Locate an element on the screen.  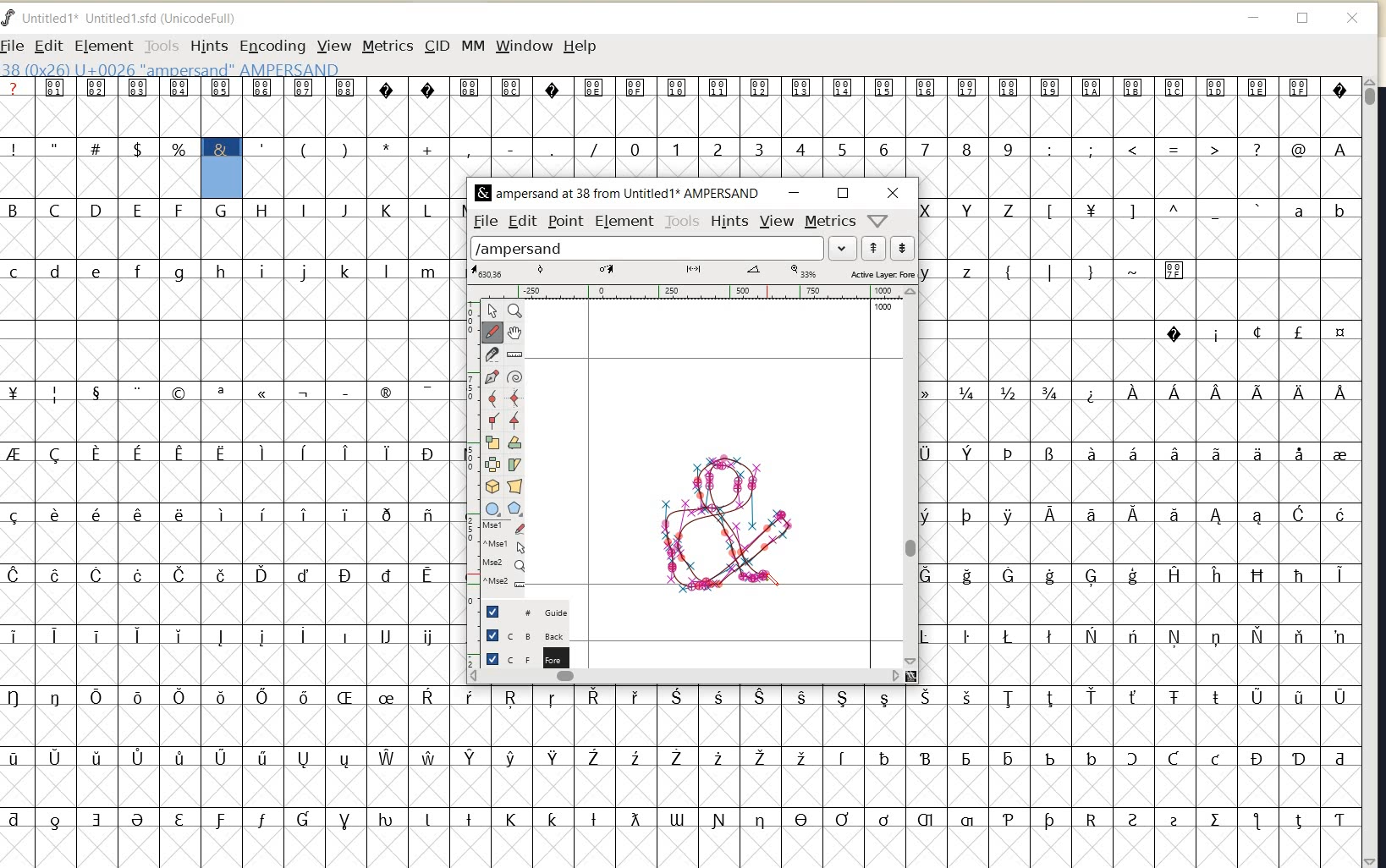
magnify is located at coordinates (516, 311).